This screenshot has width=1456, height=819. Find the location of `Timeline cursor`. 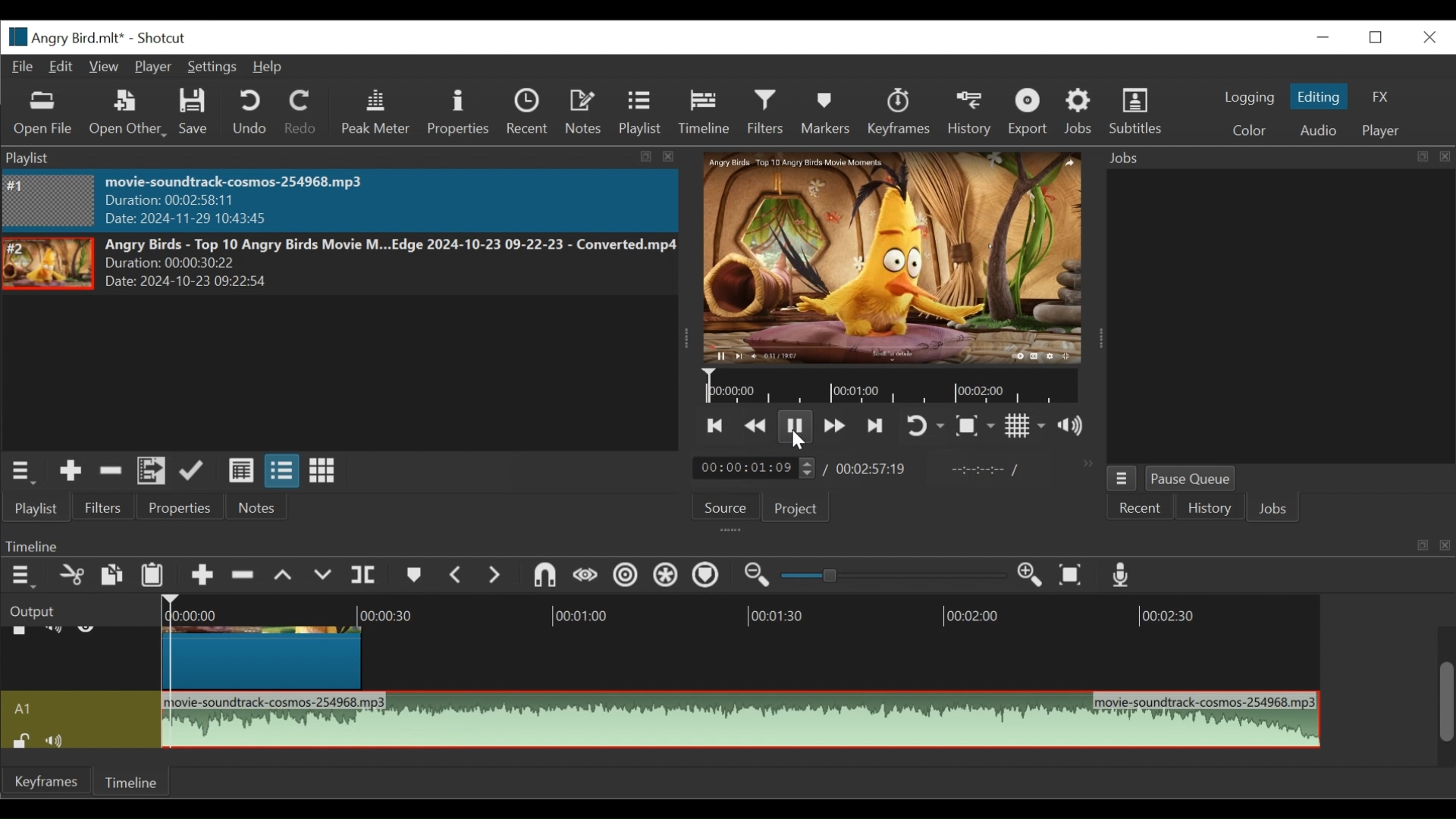

Timeline cursor is located at coordinates (706, 388).